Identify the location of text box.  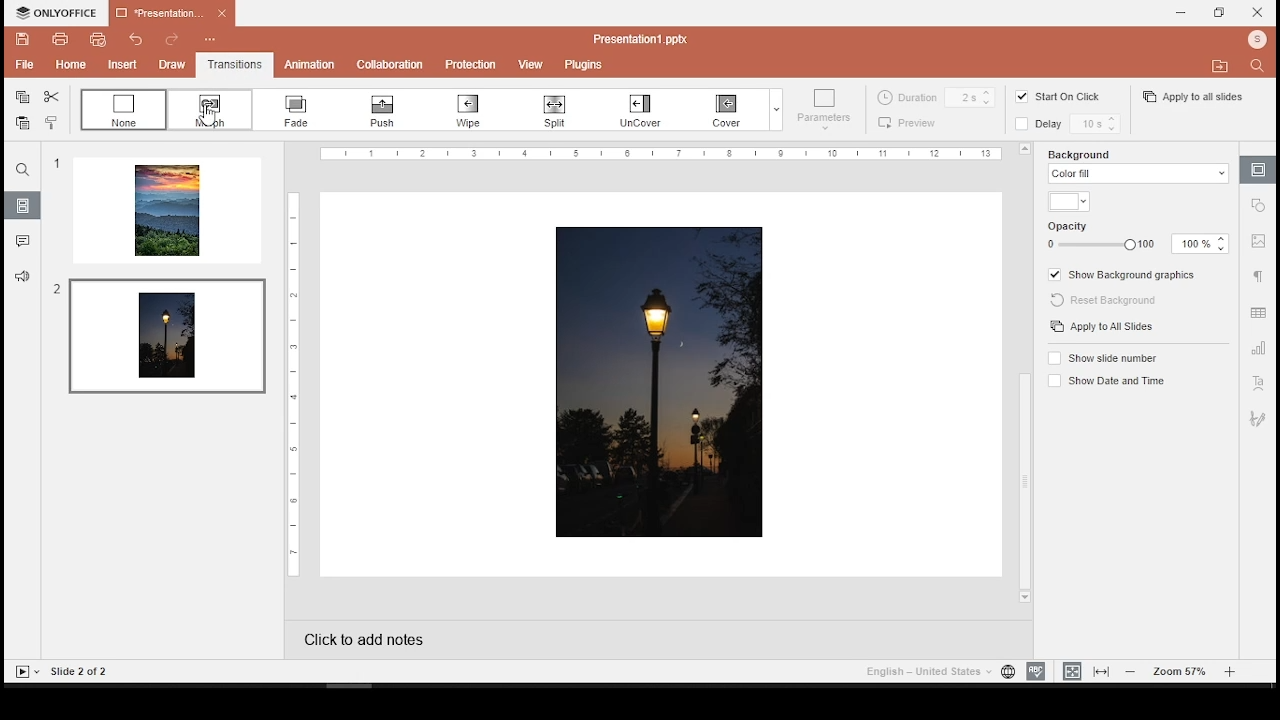
(556, 112).